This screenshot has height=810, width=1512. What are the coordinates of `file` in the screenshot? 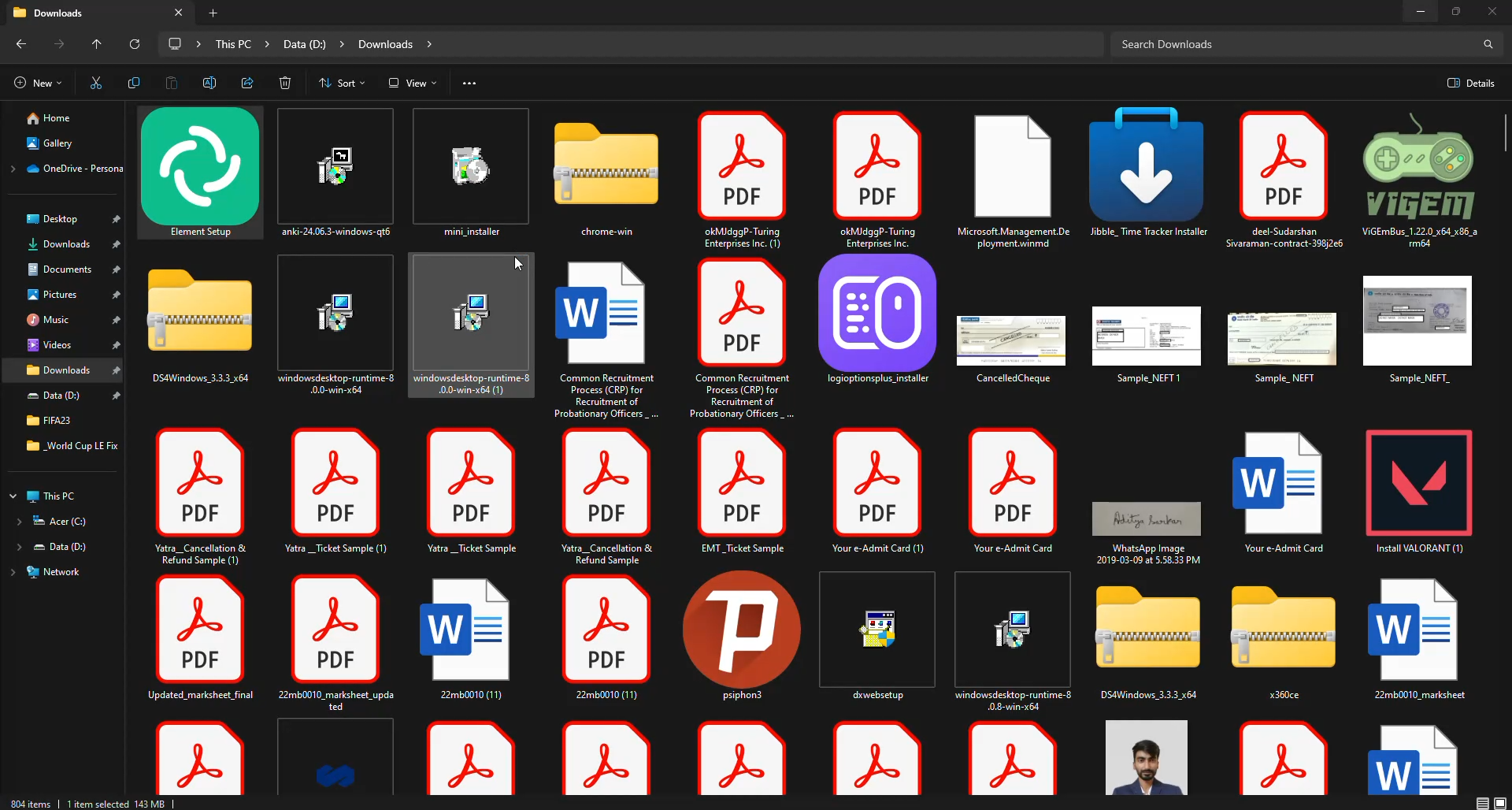 It's located at (206, 757).